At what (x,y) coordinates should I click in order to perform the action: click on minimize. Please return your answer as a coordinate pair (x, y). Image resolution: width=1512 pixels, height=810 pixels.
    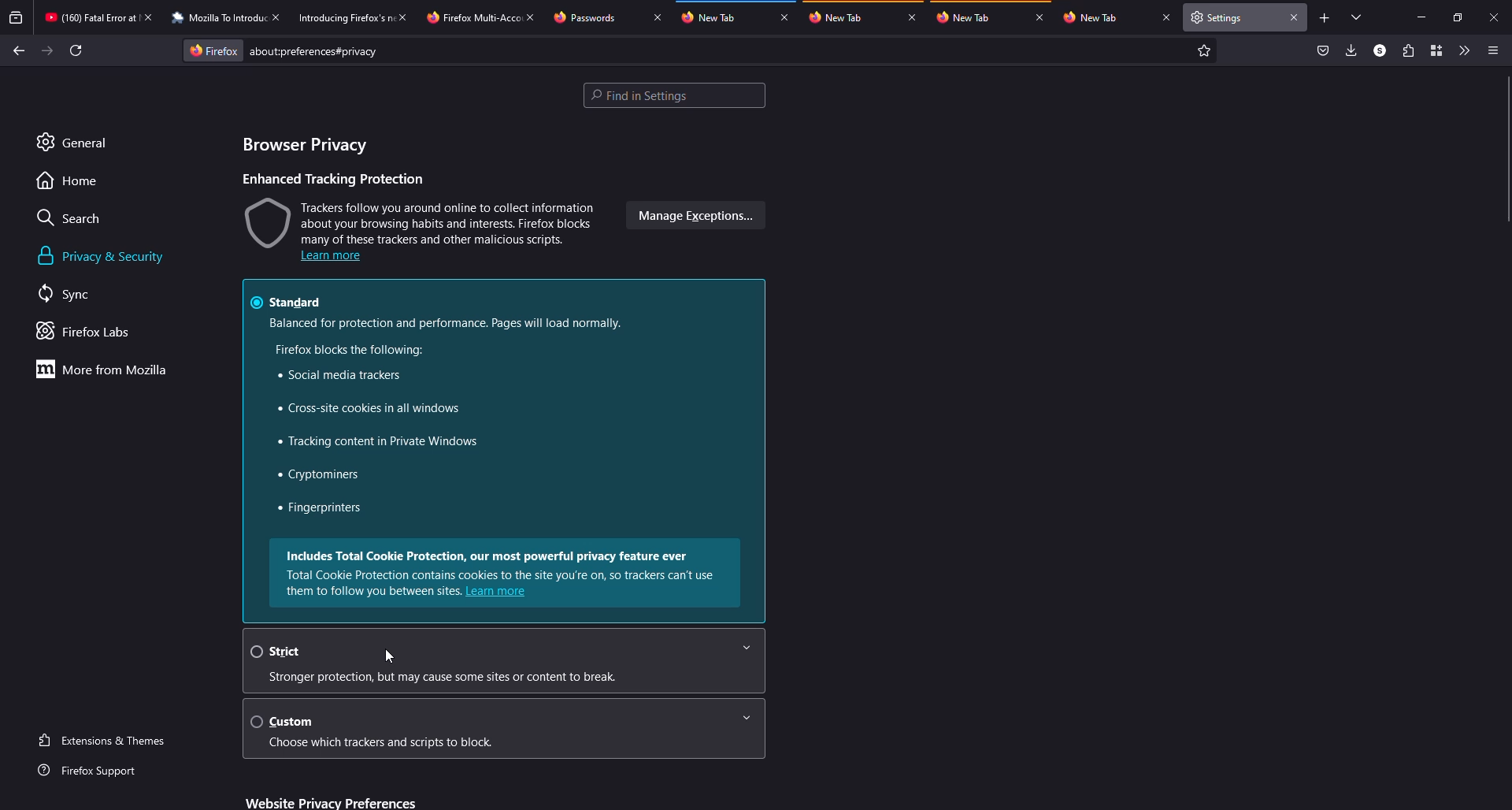
    Looking at the image, I should click on (1418, 17).